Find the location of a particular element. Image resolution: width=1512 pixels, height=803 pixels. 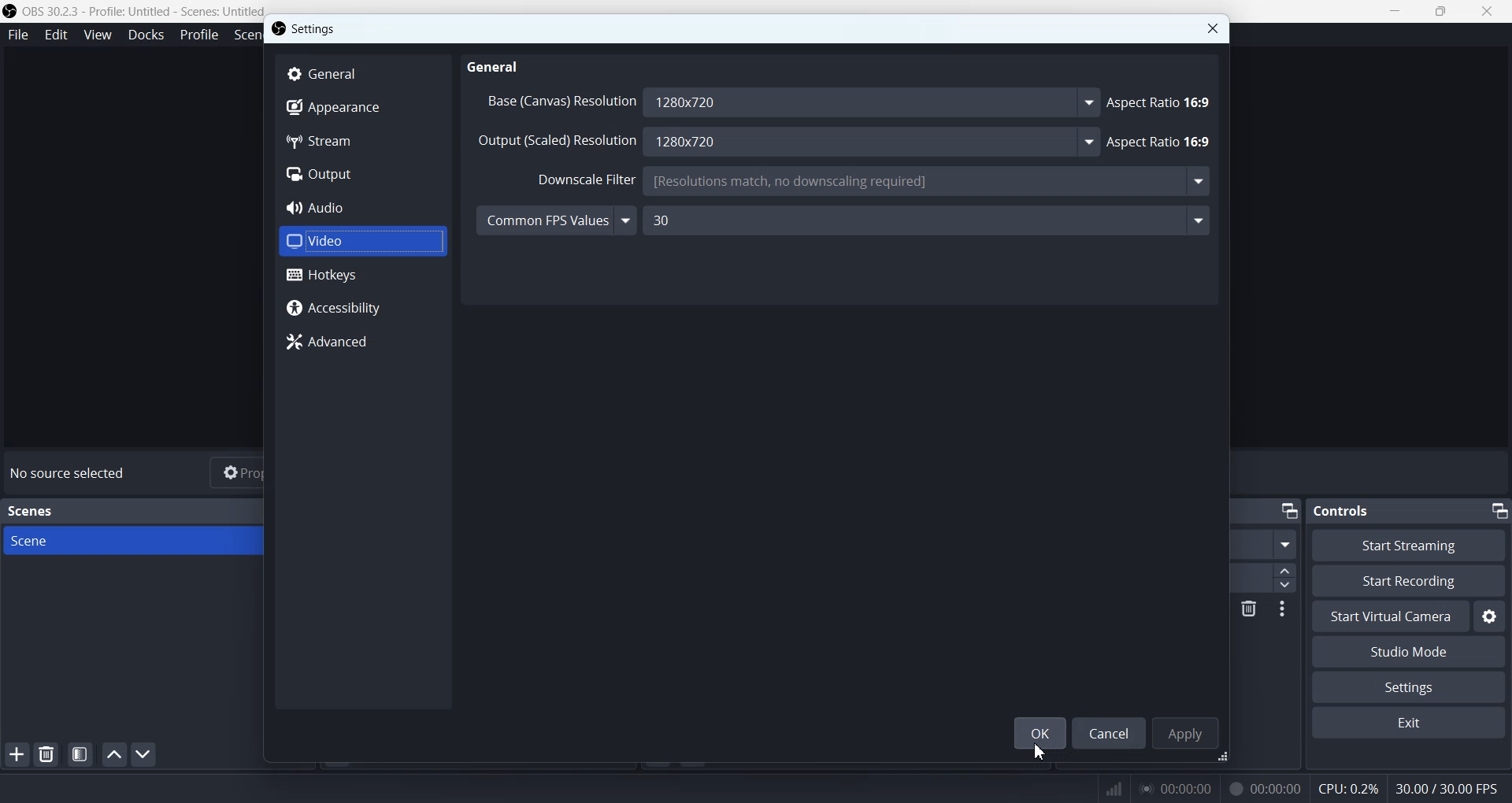

Start Recording is located at coordinates (1410, 581).